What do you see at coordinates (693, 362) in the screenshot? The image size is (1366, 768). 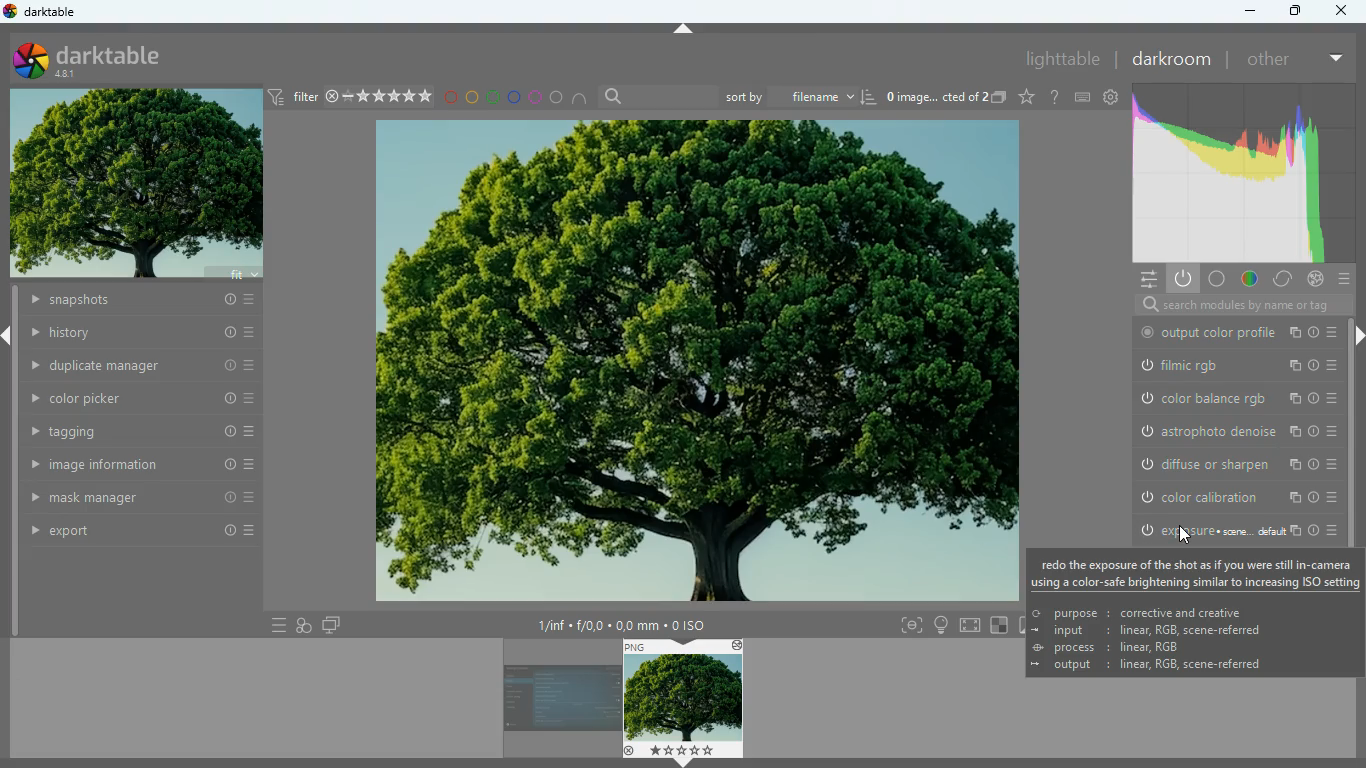 I see `image` at bounding box center [693, 362].